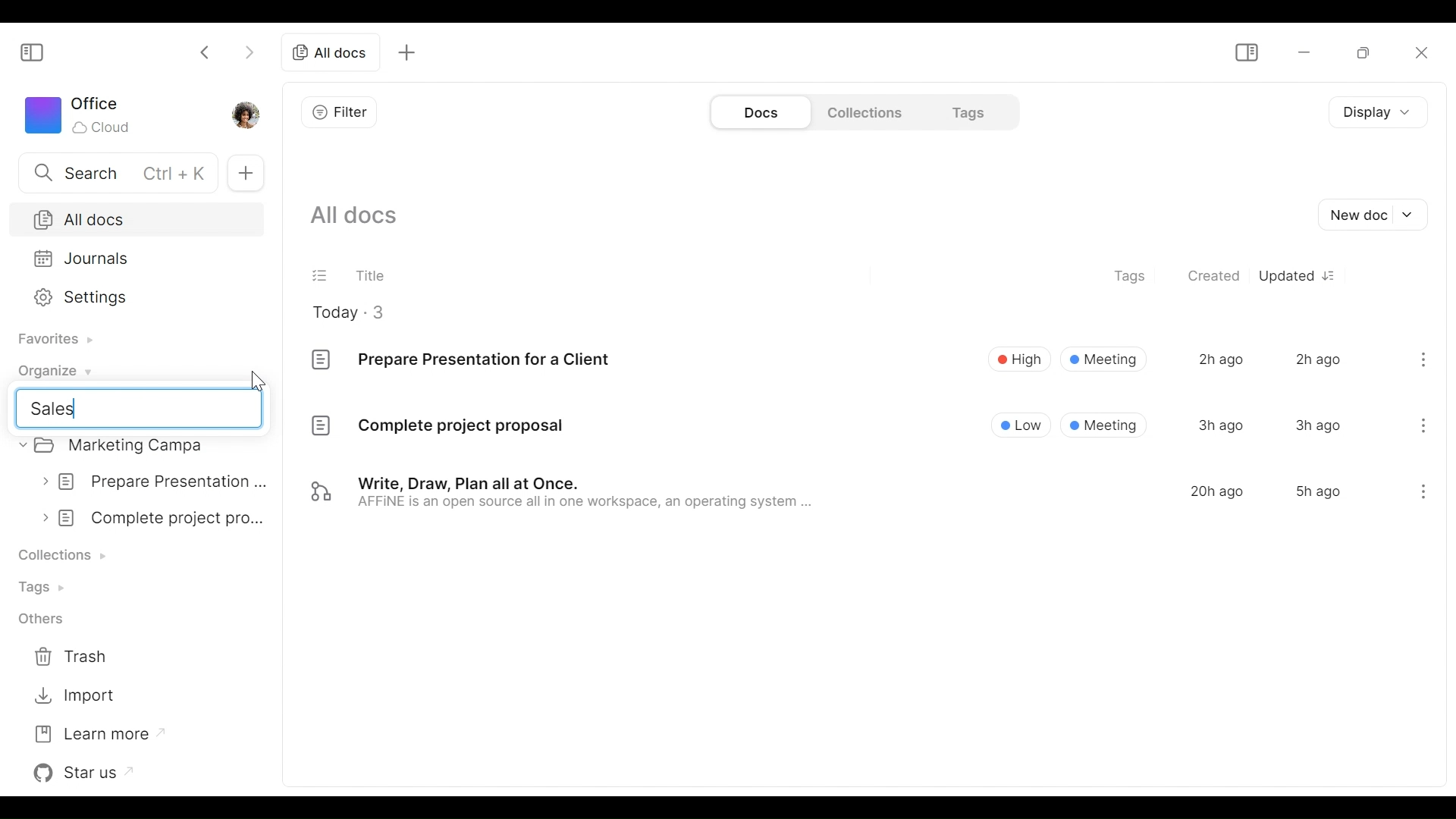 The height and width of the screenshot is (819, 1456). What do you see at coordinates (1022, 424) in the screenshot?
I see `Low` at bounding box center [1022, 424].